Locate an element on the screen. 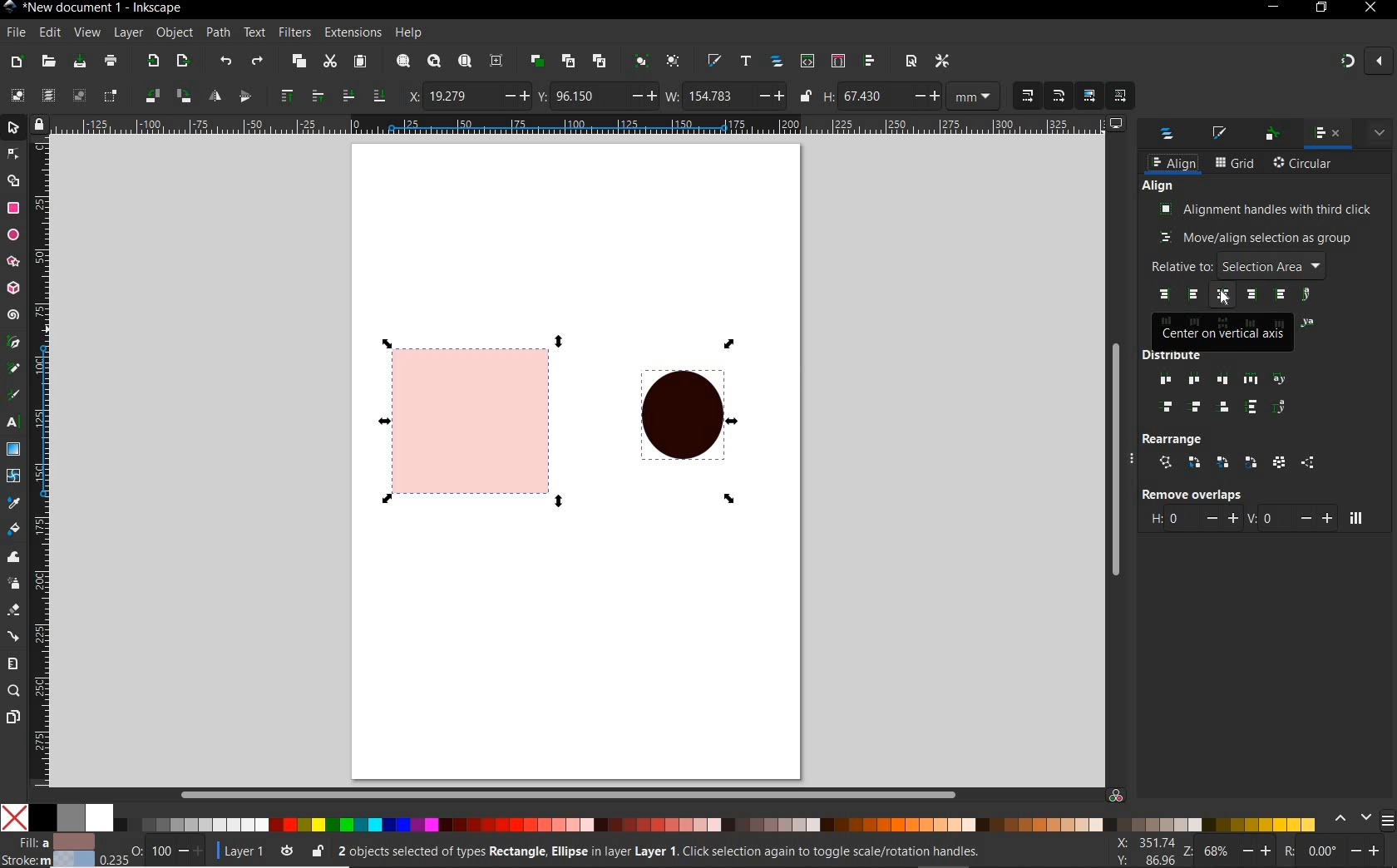 Image resolution: width=1397 pixels, height=868 pixels. CURSOR is located at coordinates (1225, 299).